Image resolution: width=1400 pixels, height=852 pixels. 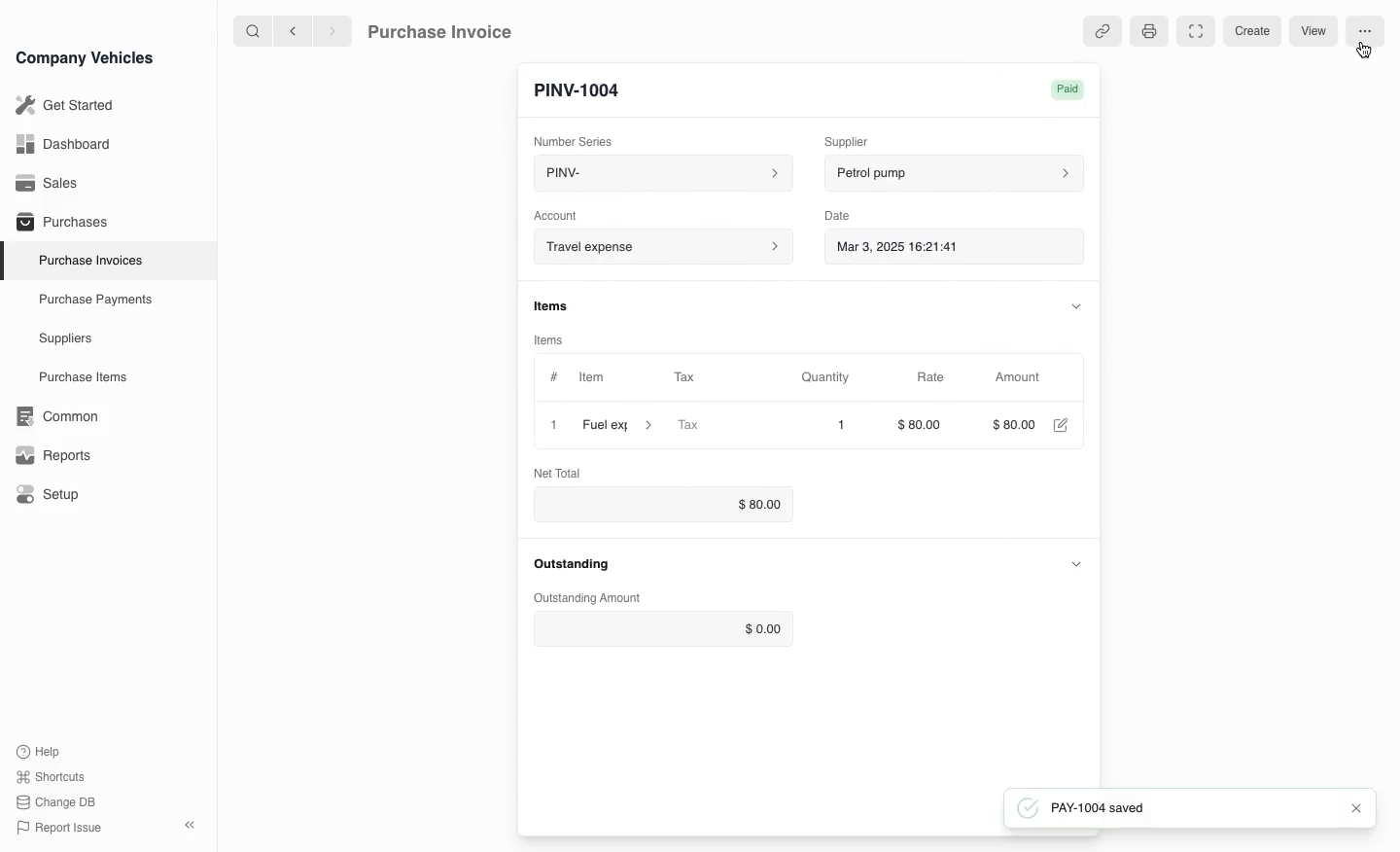 I want to click on Quantity, so click(x=836, y=374).